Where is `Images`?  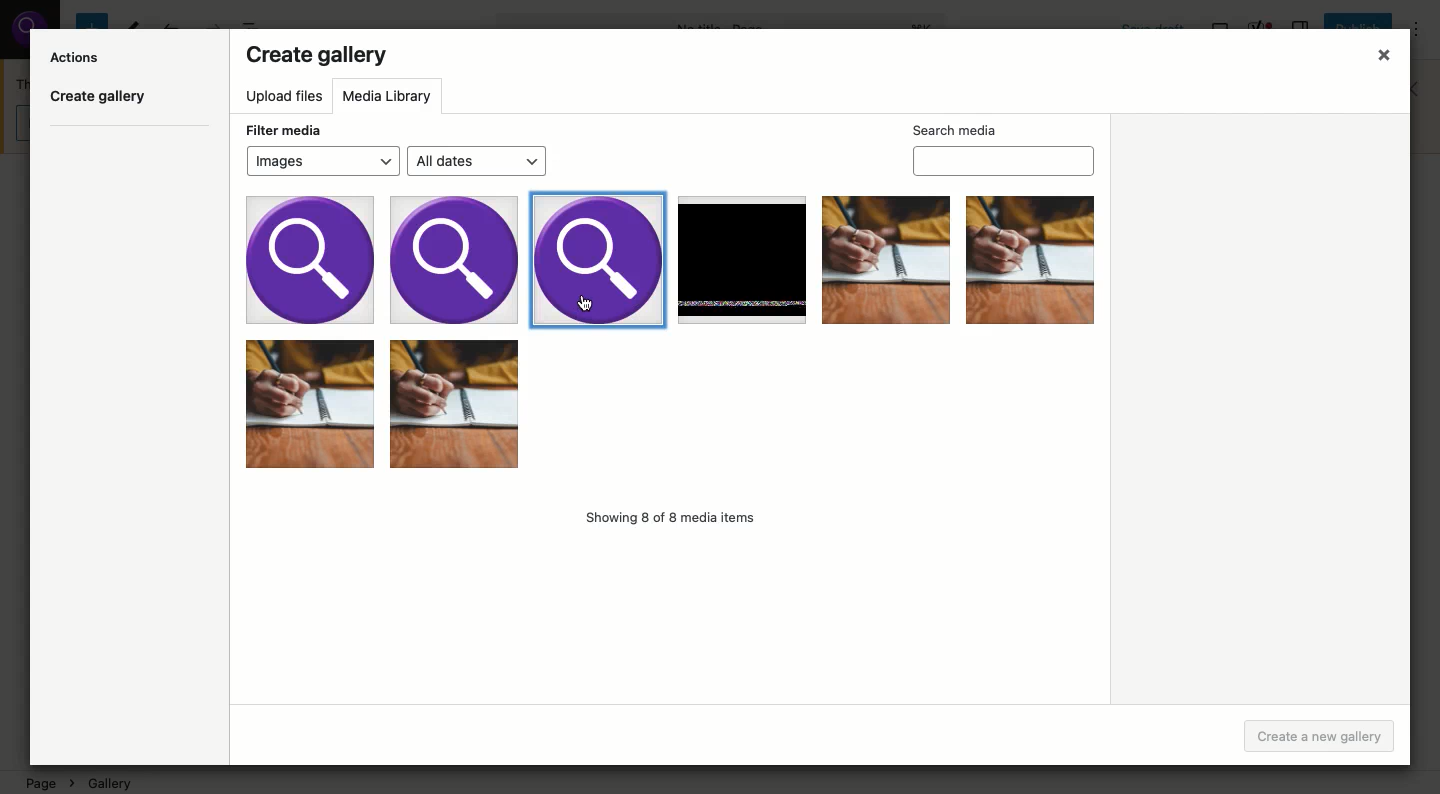 Images is located at coordinates (322, 160).